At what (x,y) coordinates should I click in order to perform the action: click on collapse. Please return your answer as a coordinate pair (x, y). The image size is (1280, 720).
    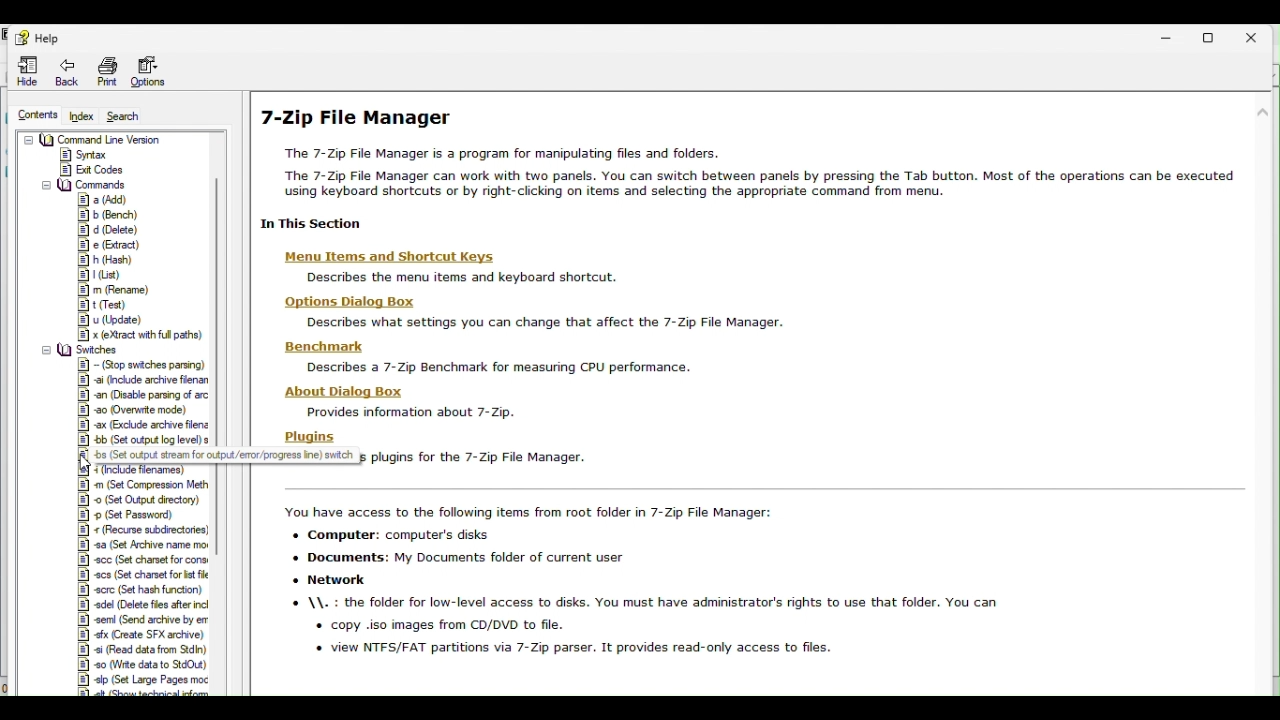
    Looking at the image, I should click on (43, 353).